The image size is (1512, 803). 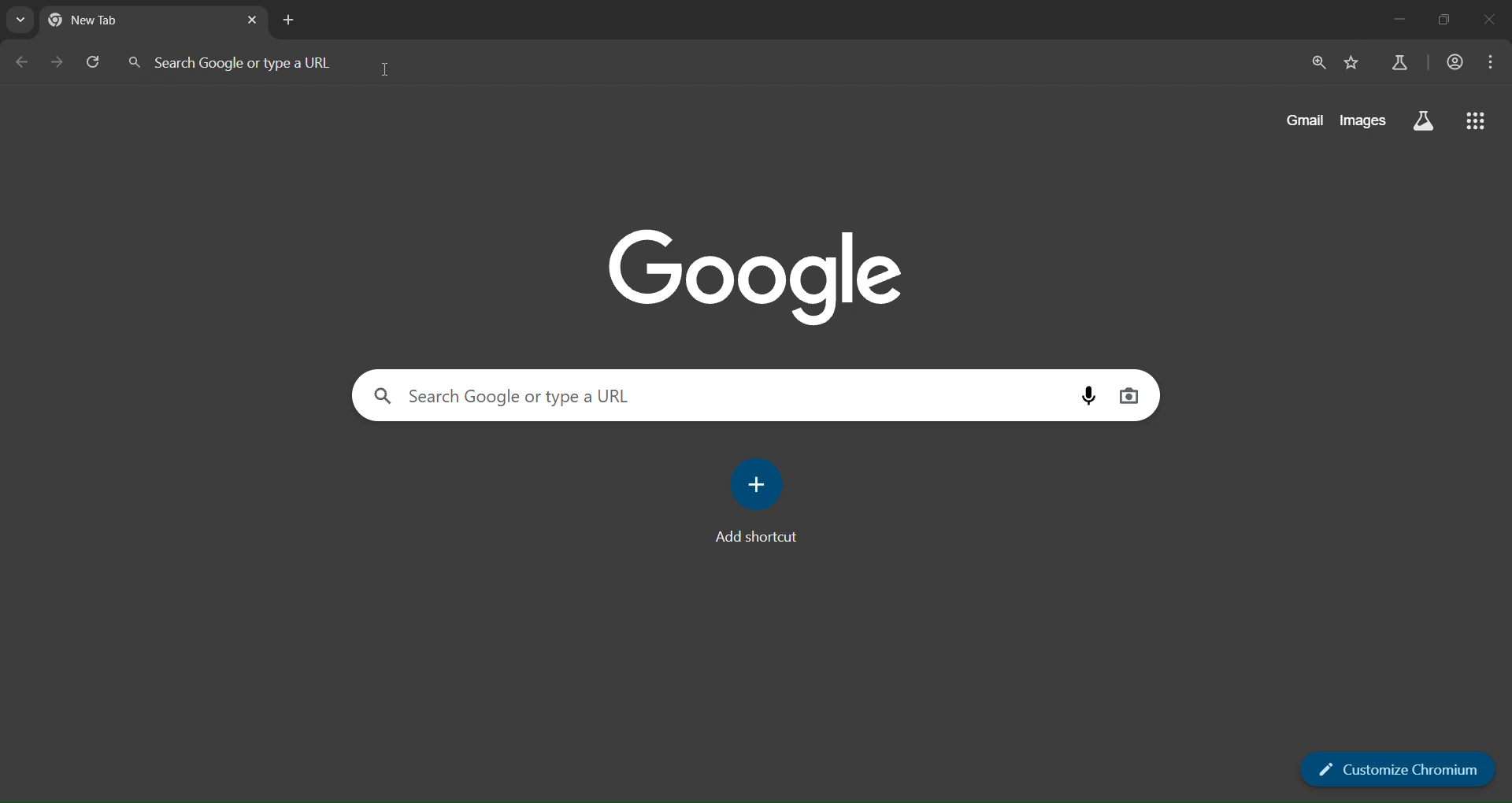 I want to click on image search, so click(x=1128, y=398).